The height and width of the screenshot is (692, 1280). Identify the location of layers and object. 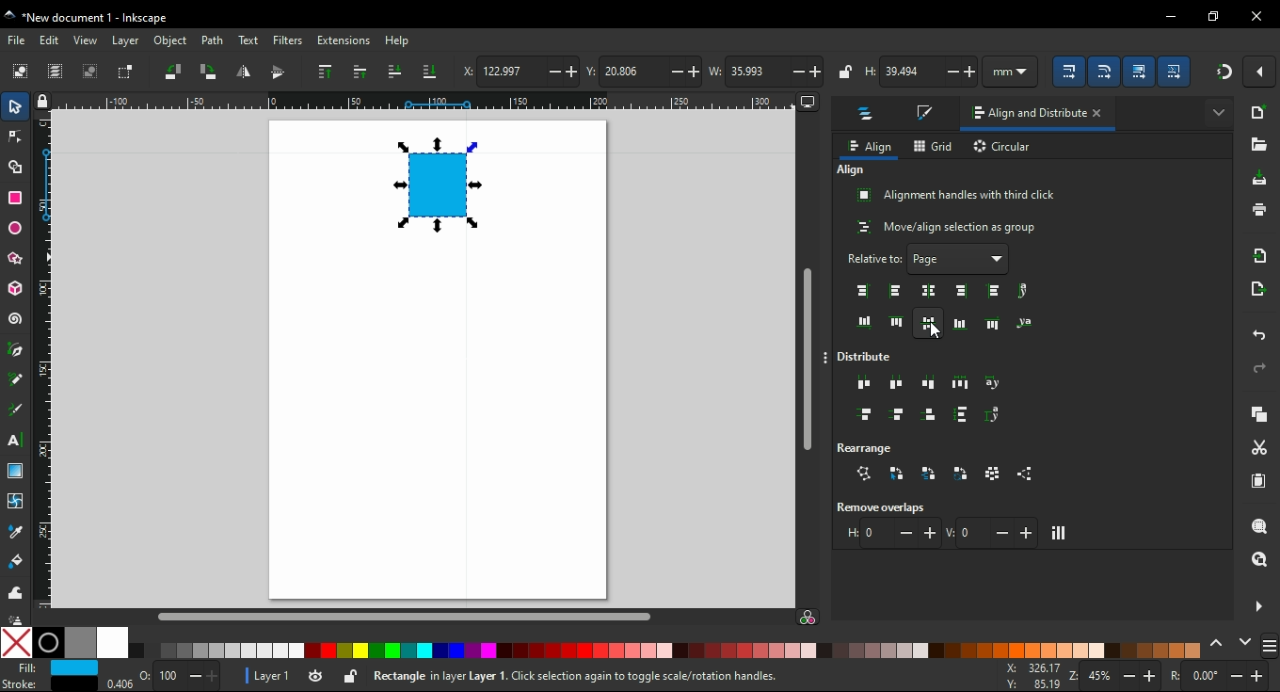
(868, 116).